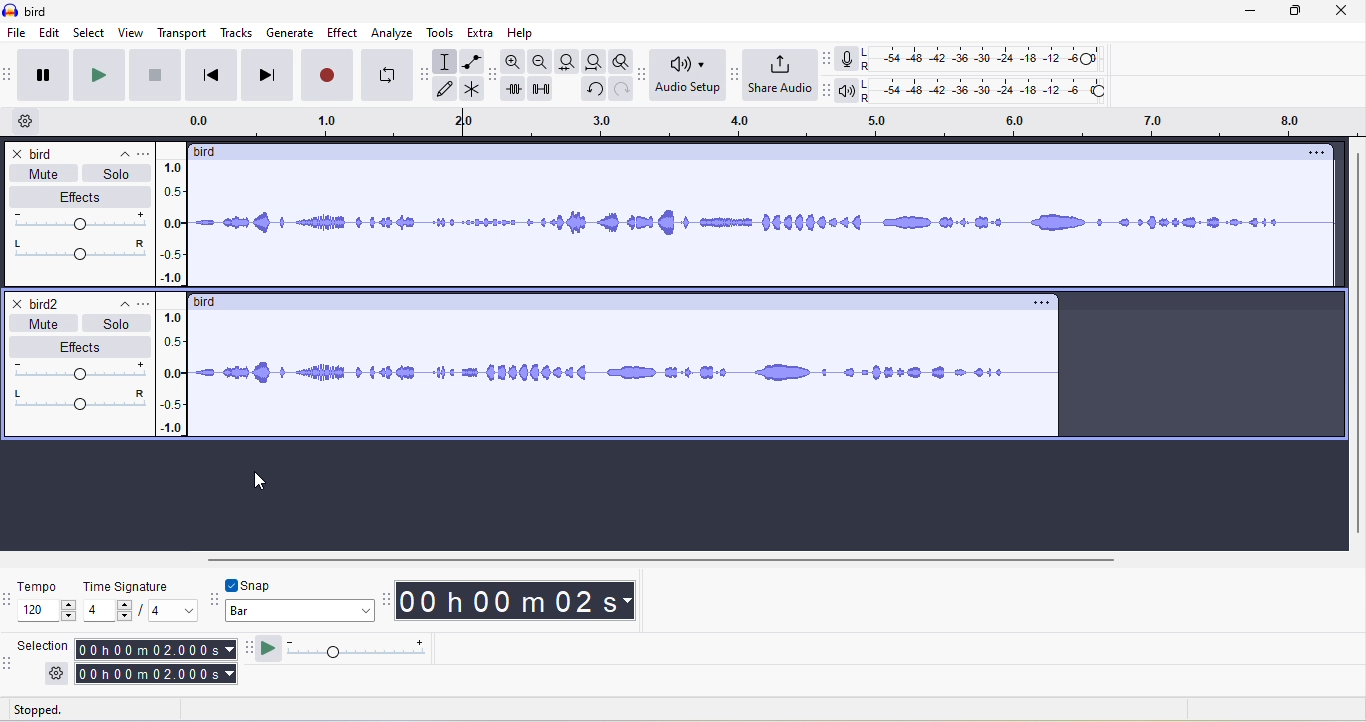 The height and width of the screenshot is (722, 1366). What do you see at coordinates (483, 32) in the screenshot?
I see `extra` at bounding box center [483, 32].